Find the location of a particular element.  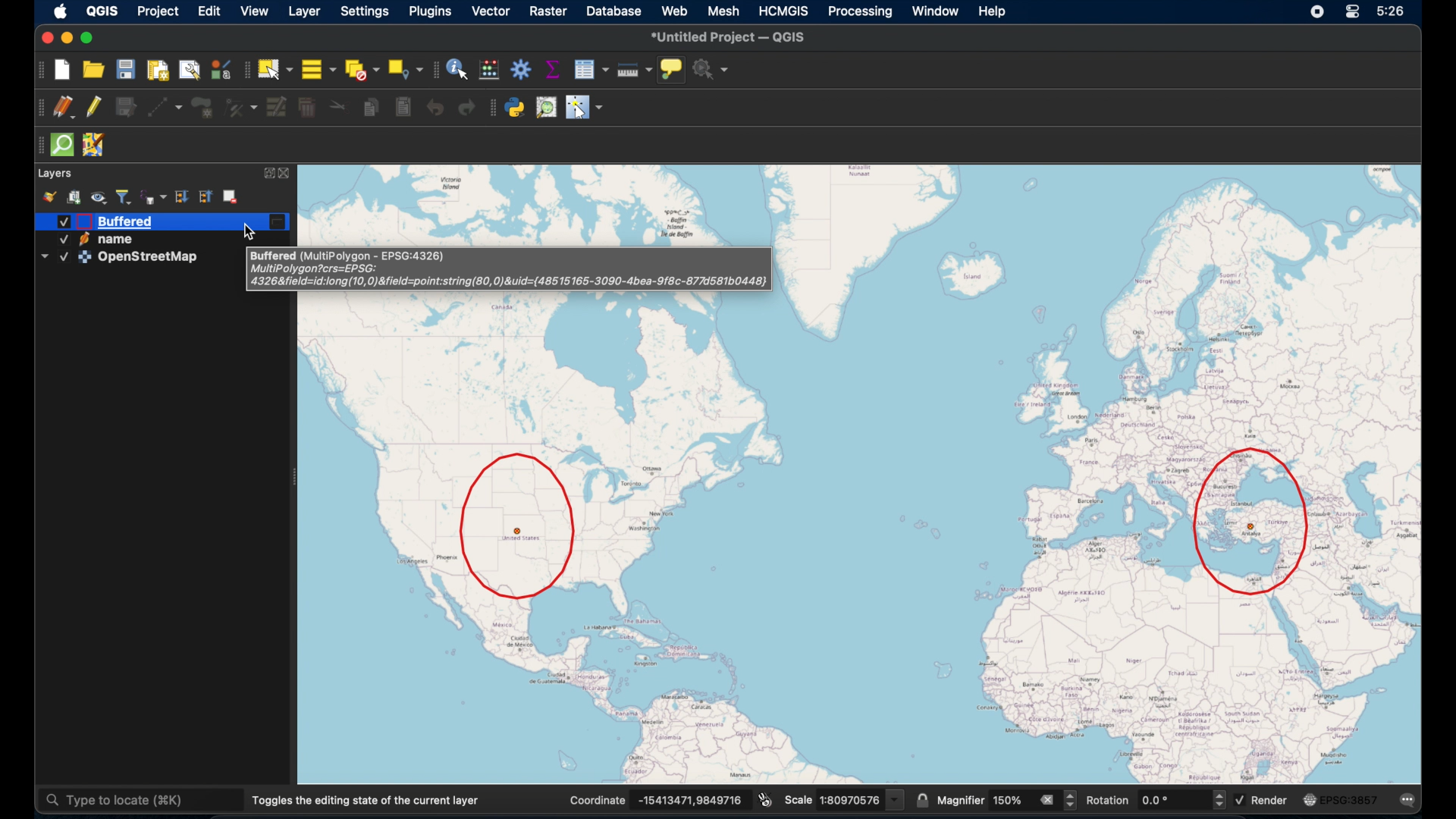

coordinate is located at coordinates (598, 799).